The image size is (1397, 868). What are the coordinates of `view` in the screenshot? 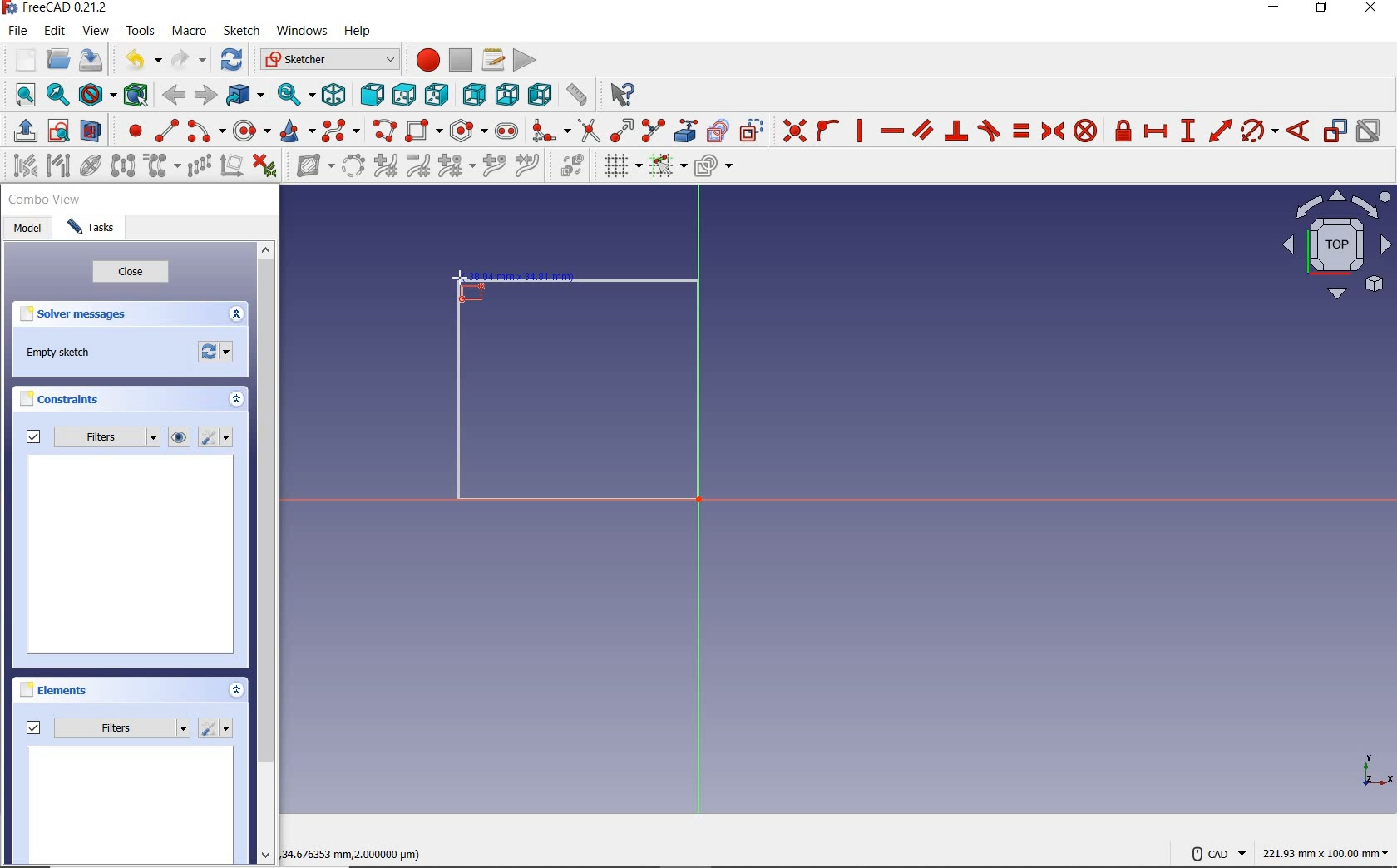 It's located at (96, 31).